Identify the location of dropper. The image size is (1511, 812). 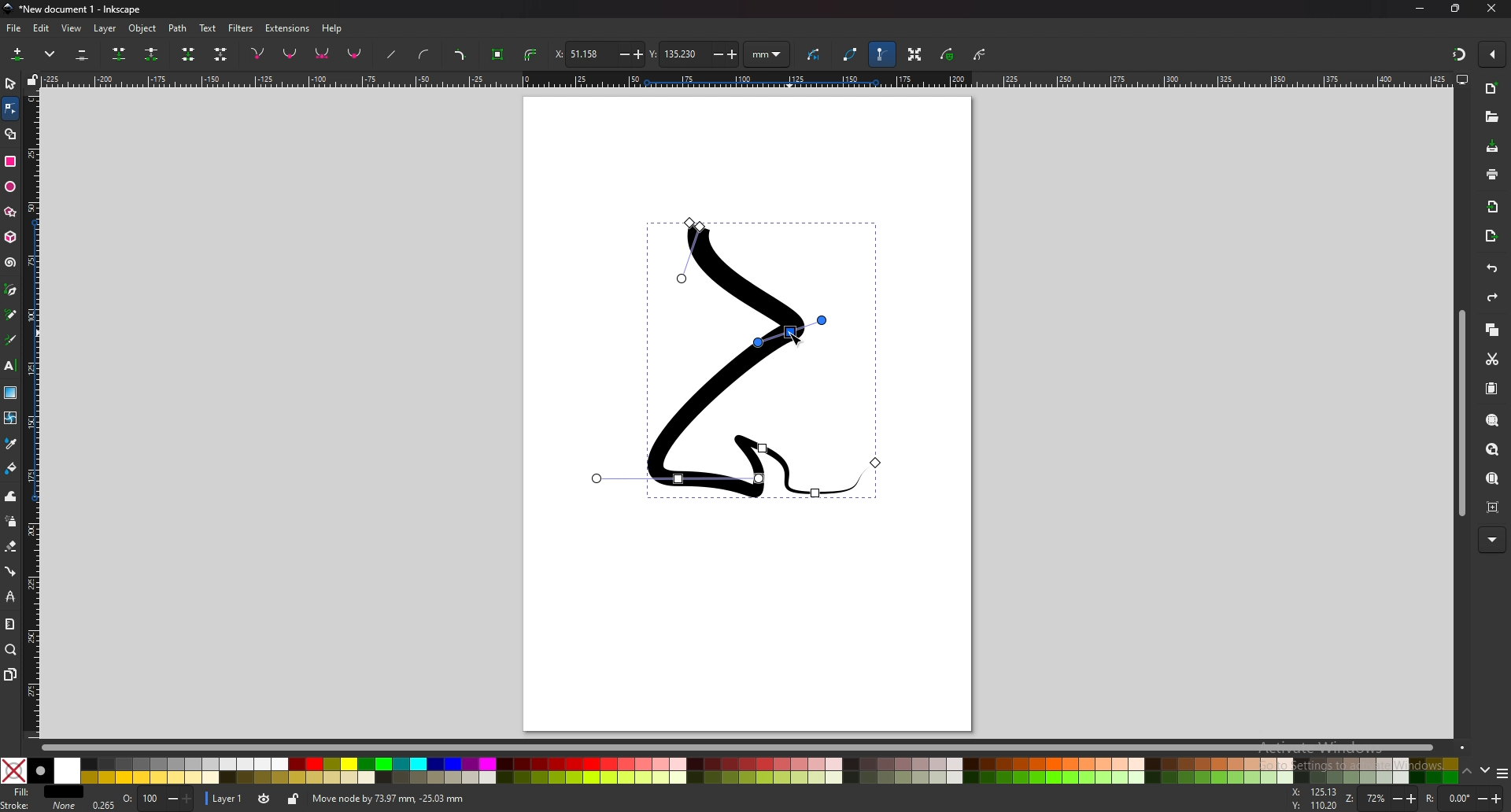
(11, 444).